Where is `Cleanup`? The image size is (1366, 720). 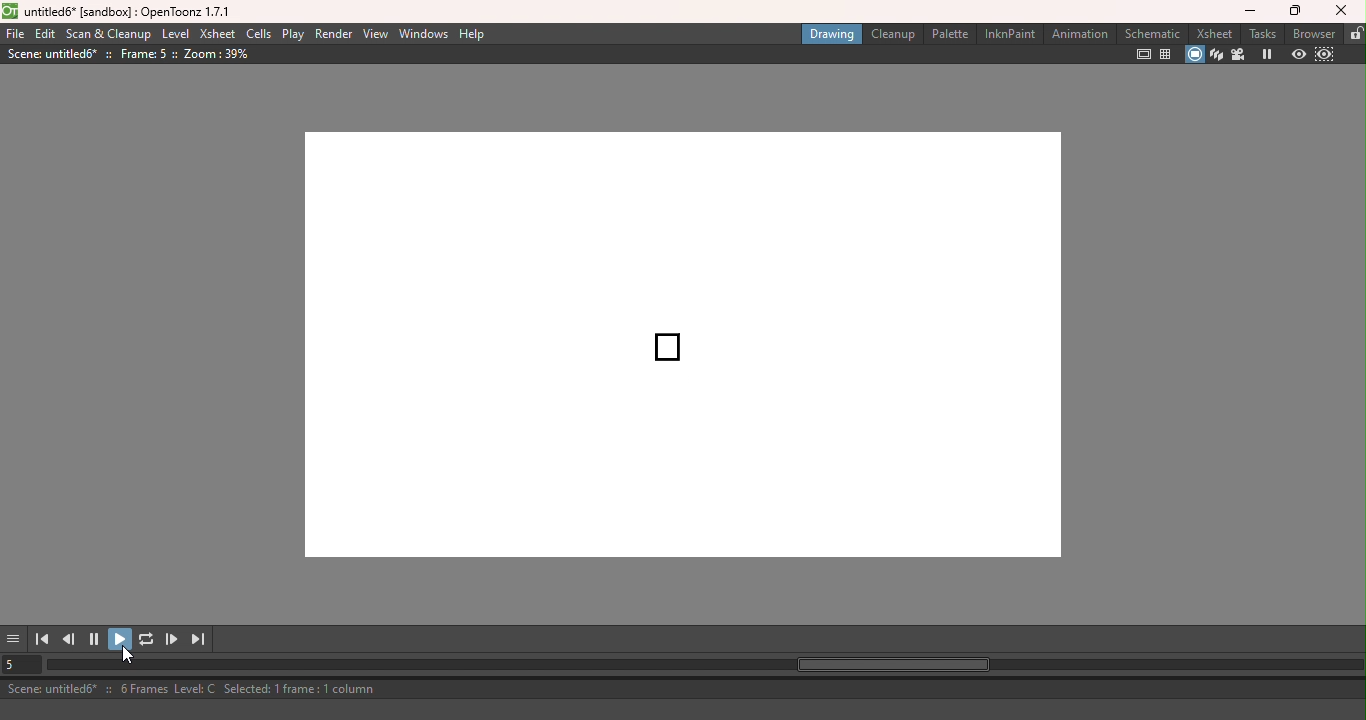 Cleanup is located at coordinates (898, 33).